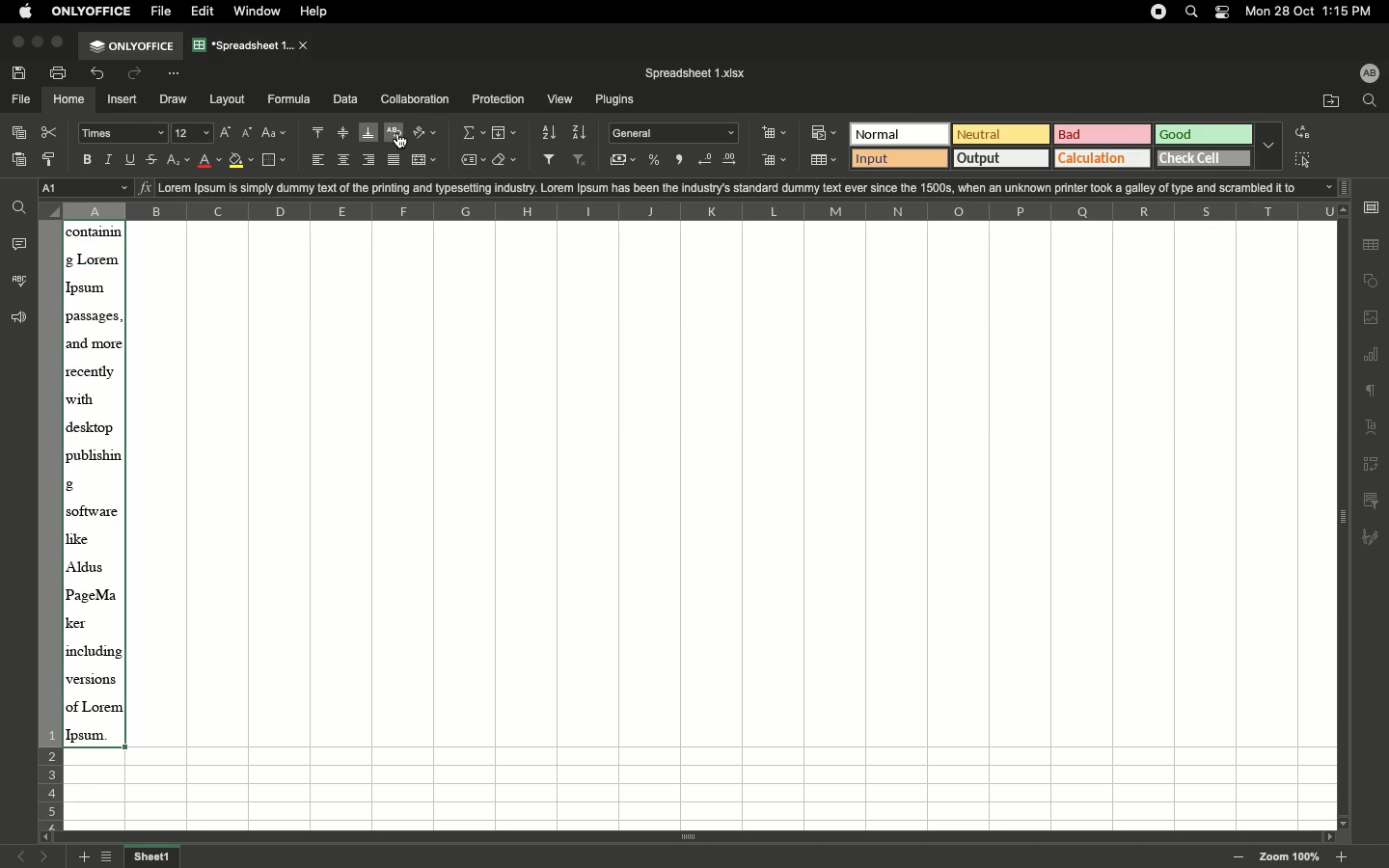 The height and width of the screenshot is (868, 1389). Describe the element at coordinates (124, 134) in the screenshot. I see `Font` at that location.